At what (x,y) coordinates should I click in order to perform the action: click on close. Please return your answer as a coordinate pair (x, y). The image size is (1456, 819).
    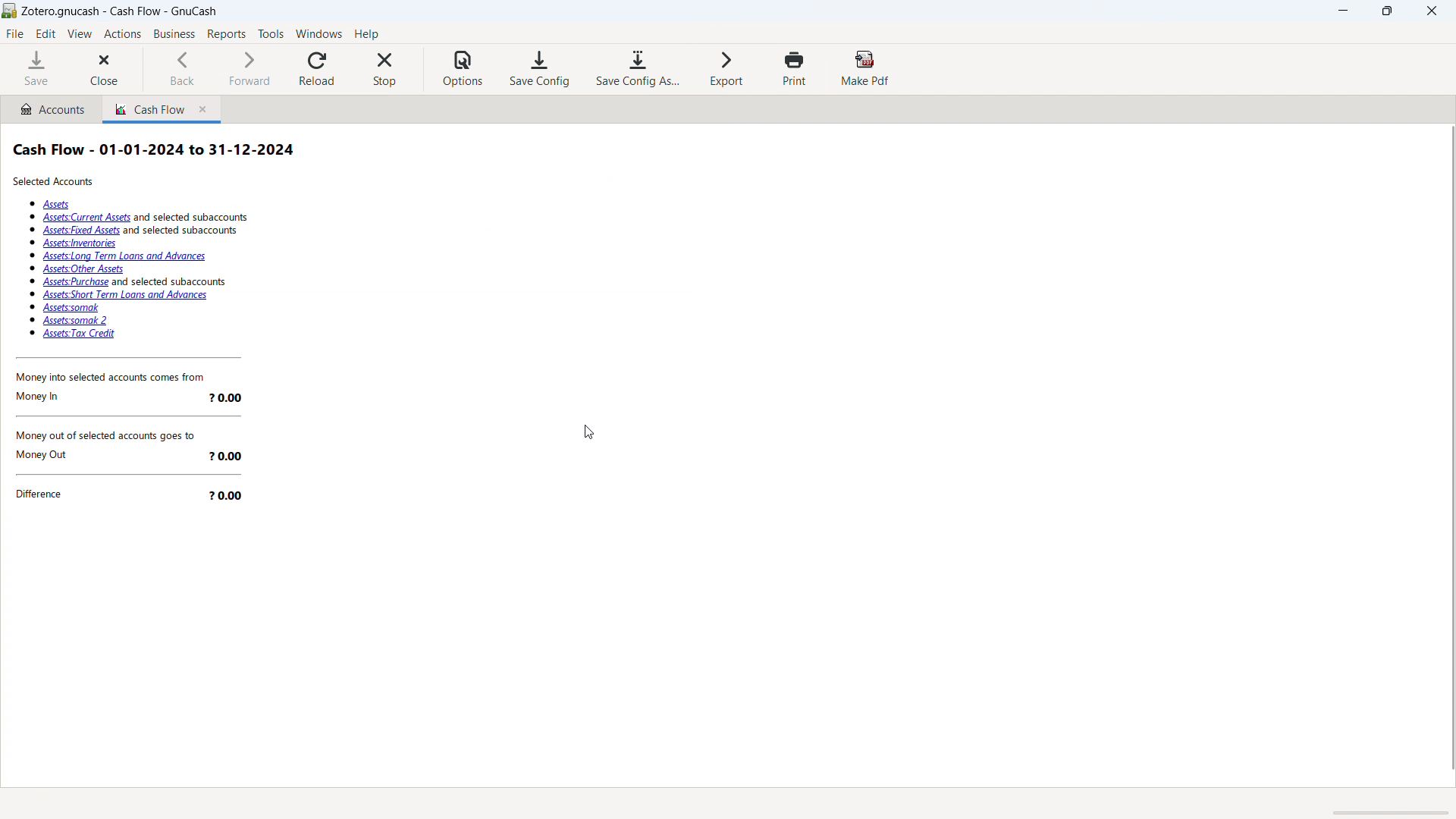
    Looking at the image, I should click on (108, 70).